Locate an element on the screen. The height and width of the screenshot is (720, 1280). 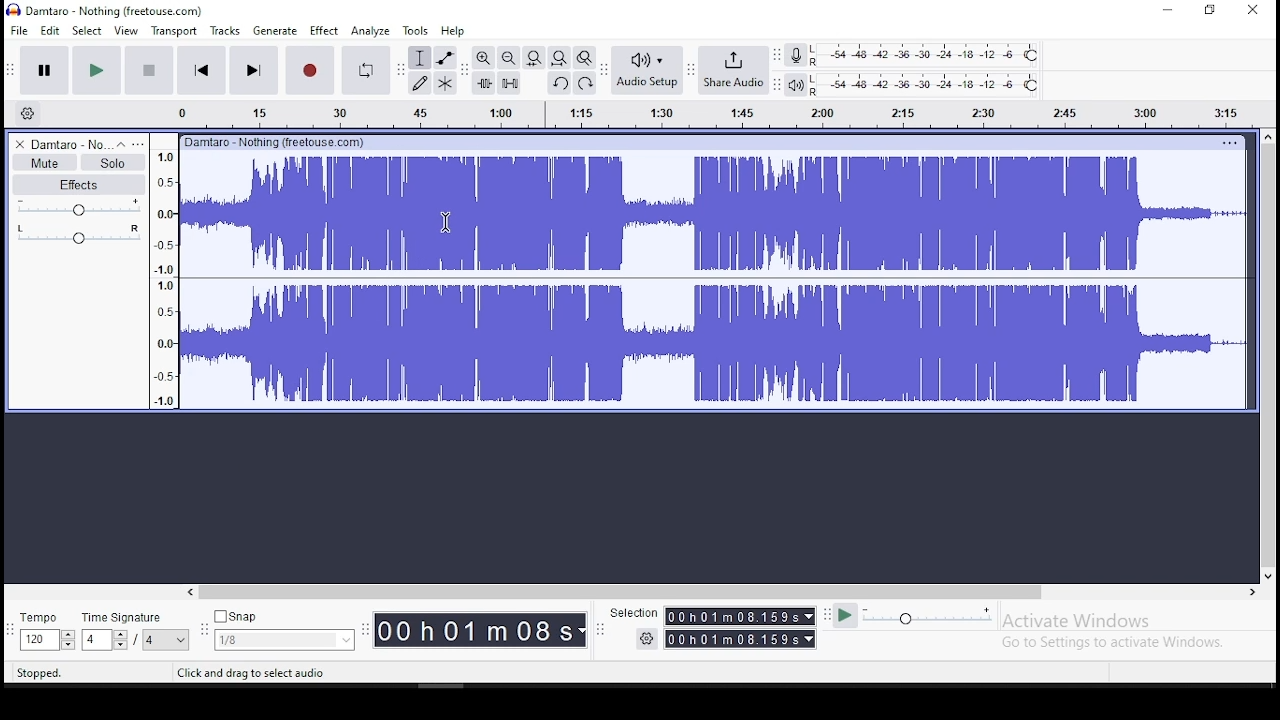
draw tool is located at coordinates (420, 83).